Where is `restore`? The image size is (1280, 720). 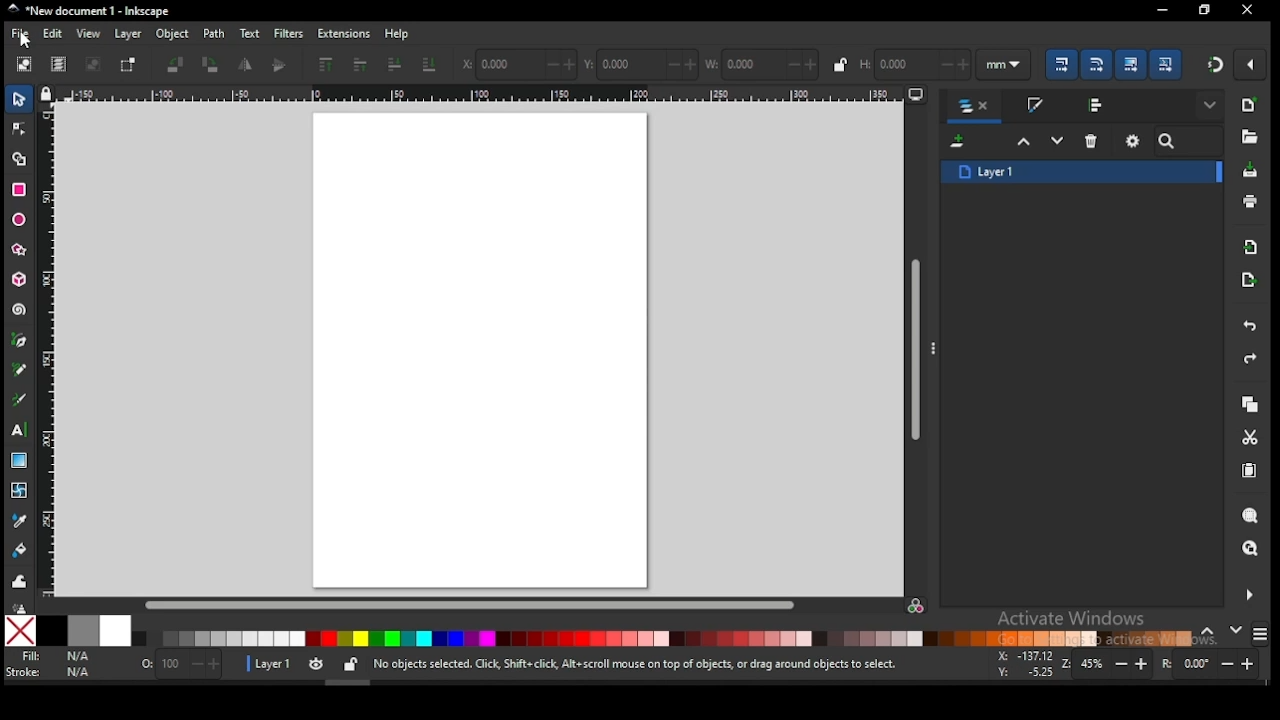
restore is located at coordinates (1248, 10).